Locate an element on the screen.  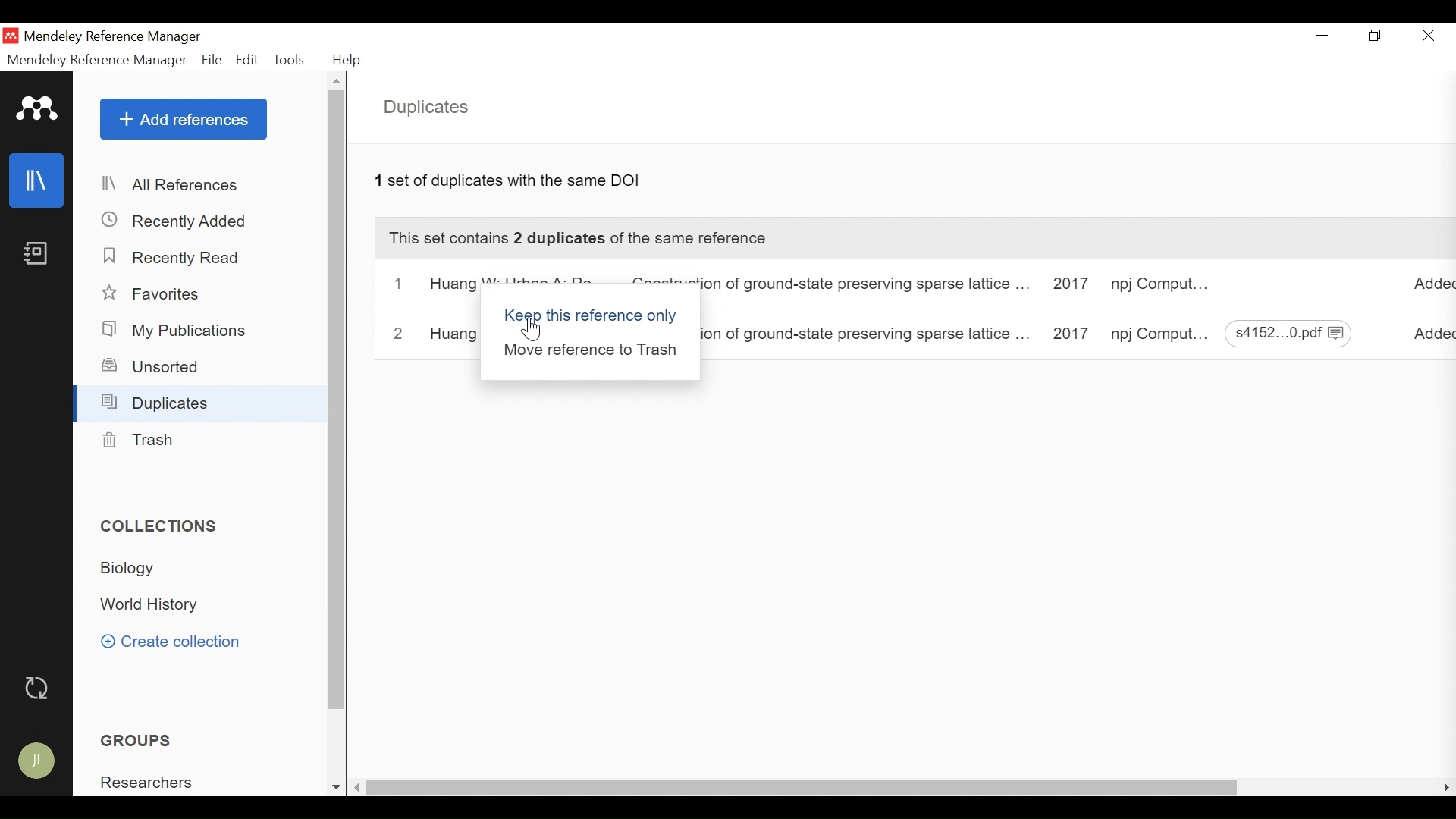
minimize is located at coordinates (1323, 36).